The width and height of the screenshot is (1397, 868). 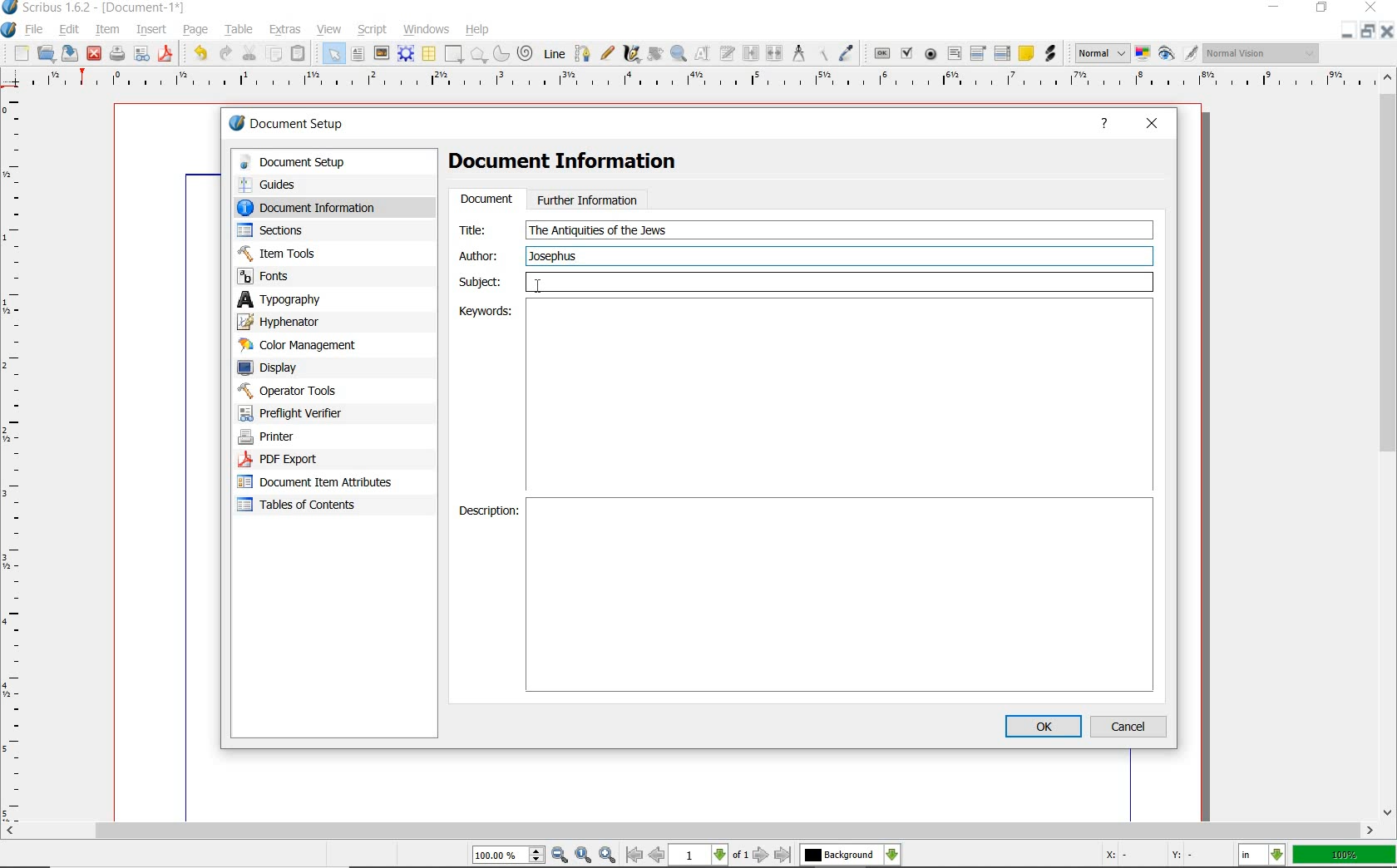 I want to click on cursor, so click(x=538, y=288).